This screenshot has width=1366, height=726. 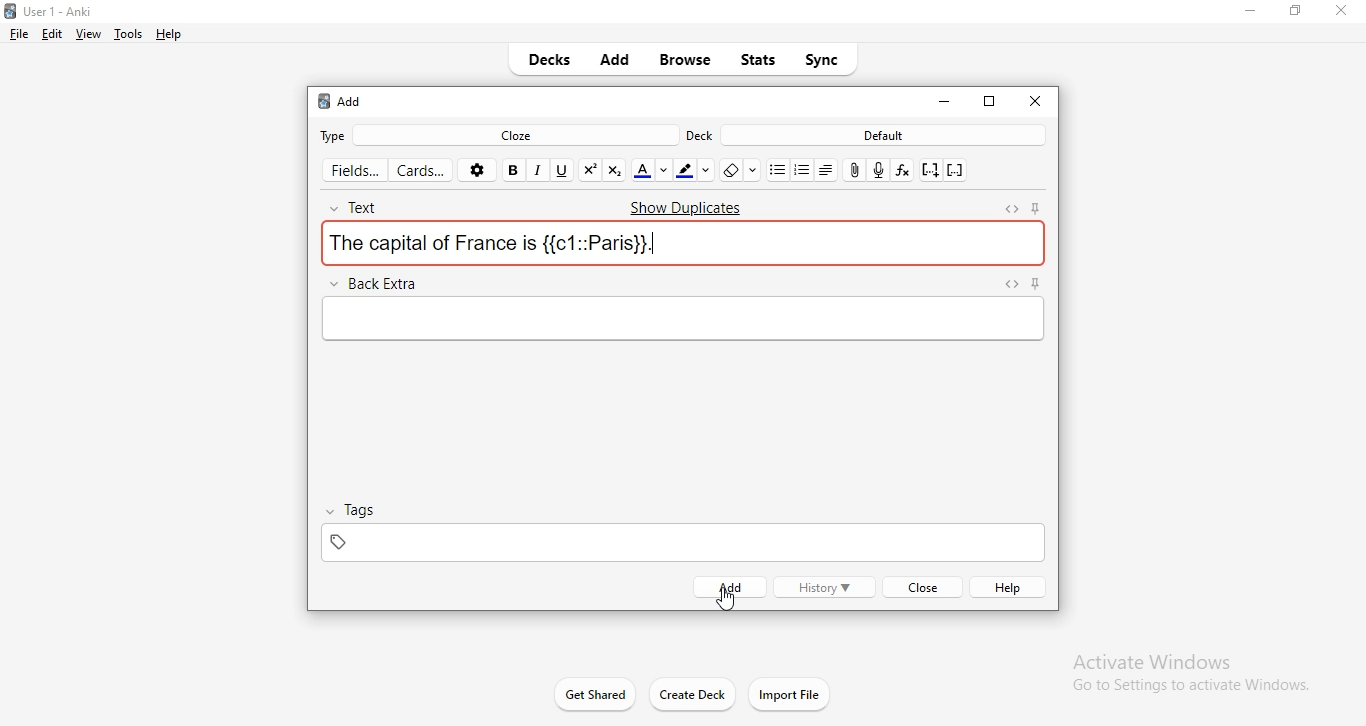 What do you see at coordinates (690, 696) in the screenshot?
I see `create deck` at bounding box center [690, 696].